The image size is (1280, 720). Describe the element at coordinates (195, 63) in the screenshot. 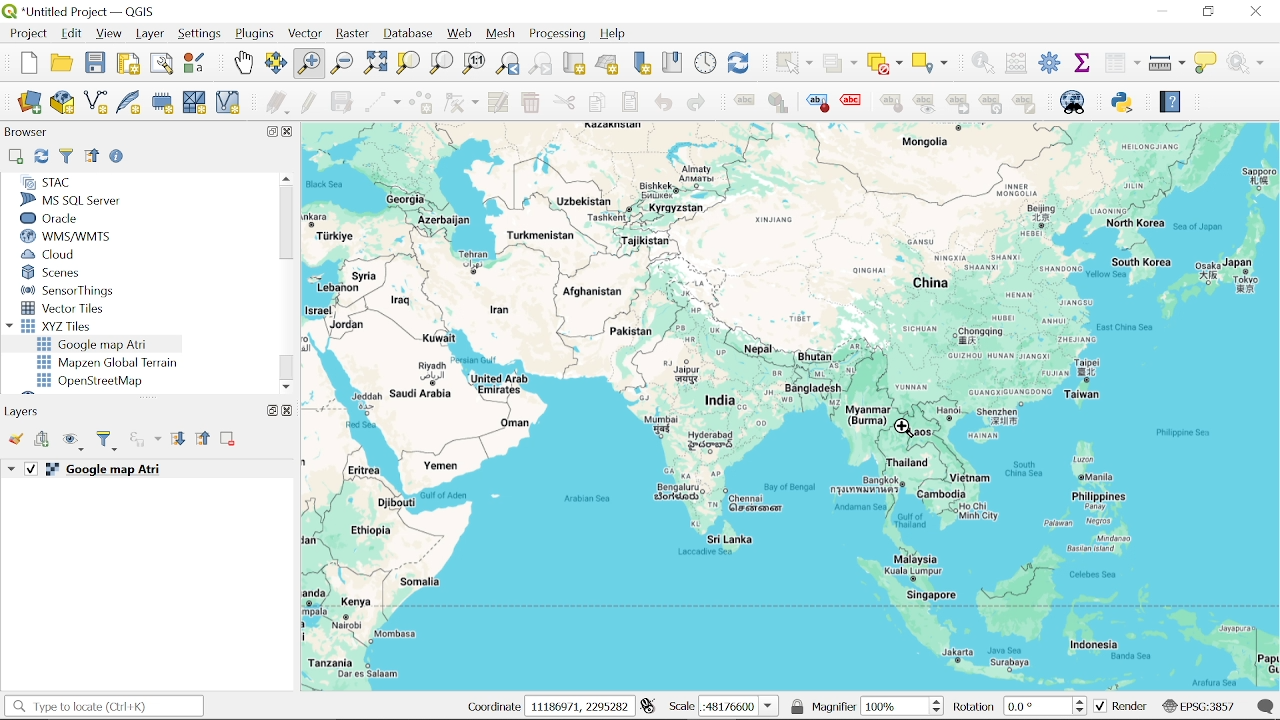

I see `Style manager` at that location.